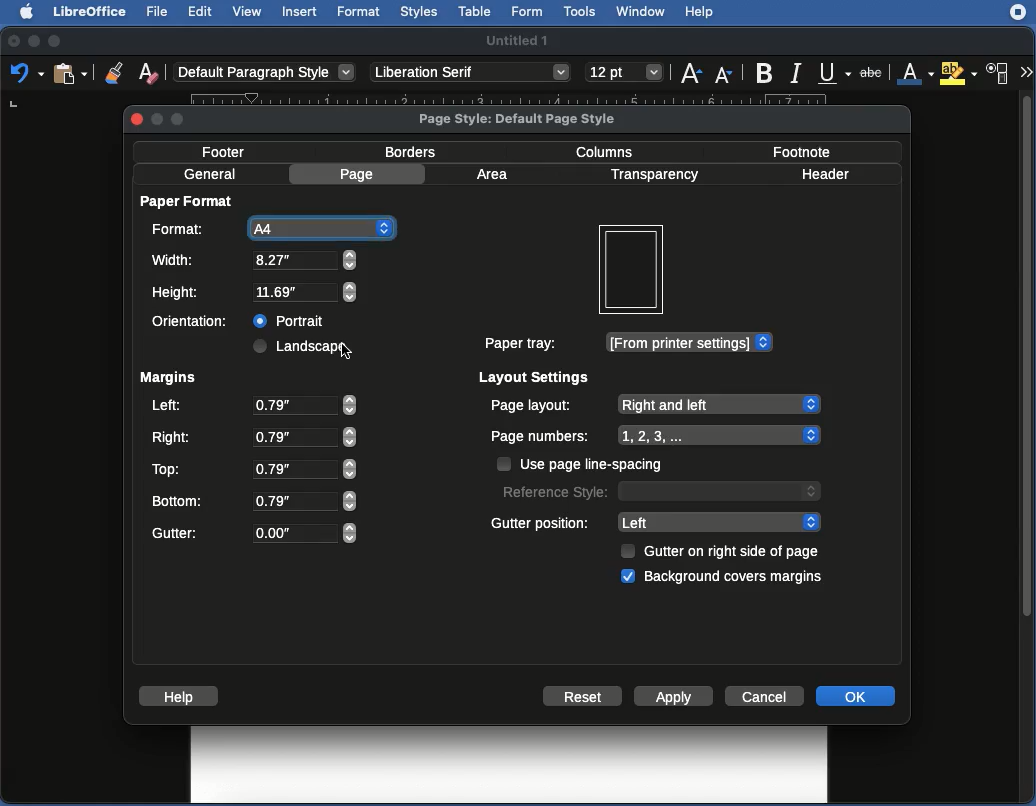 The width and height of the screenshot is (1036, 806). I want to click on Size down, so click(725, 73).